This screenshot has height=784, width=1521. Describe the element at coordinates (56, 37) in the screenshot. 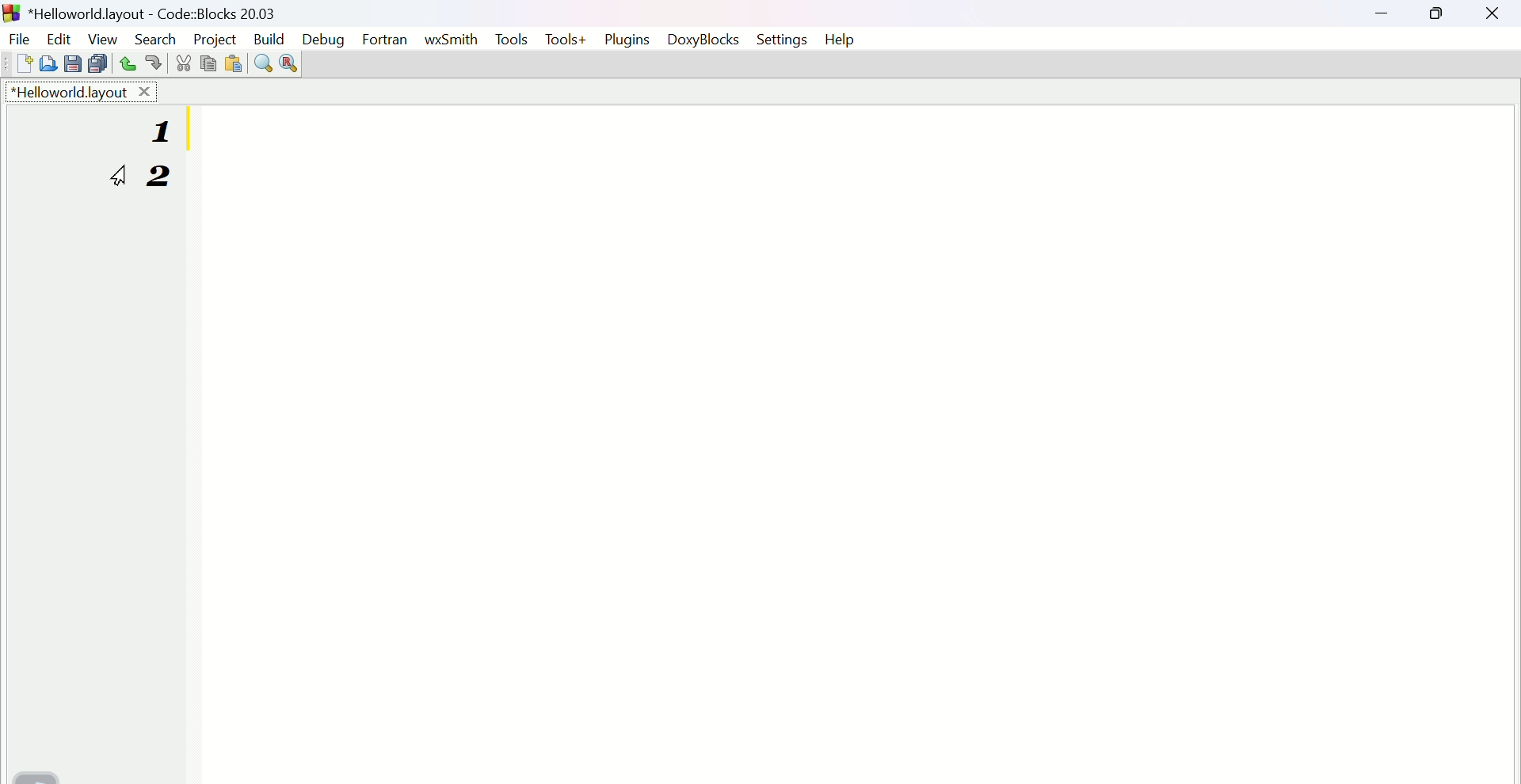

I see `Edit` at that location.